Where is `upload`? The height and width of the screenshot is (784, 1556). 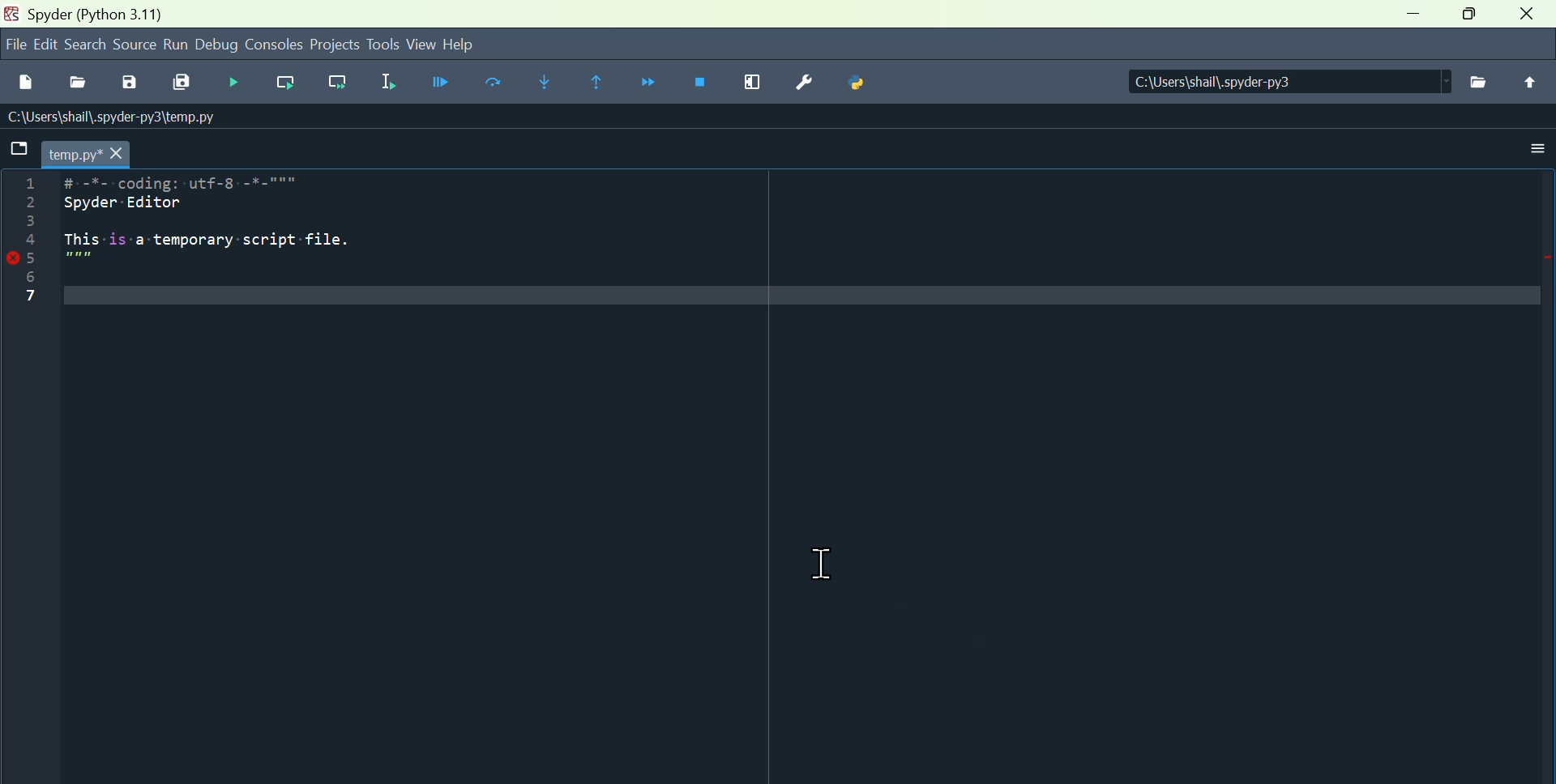 upload is located at coordinates (1528, 83).